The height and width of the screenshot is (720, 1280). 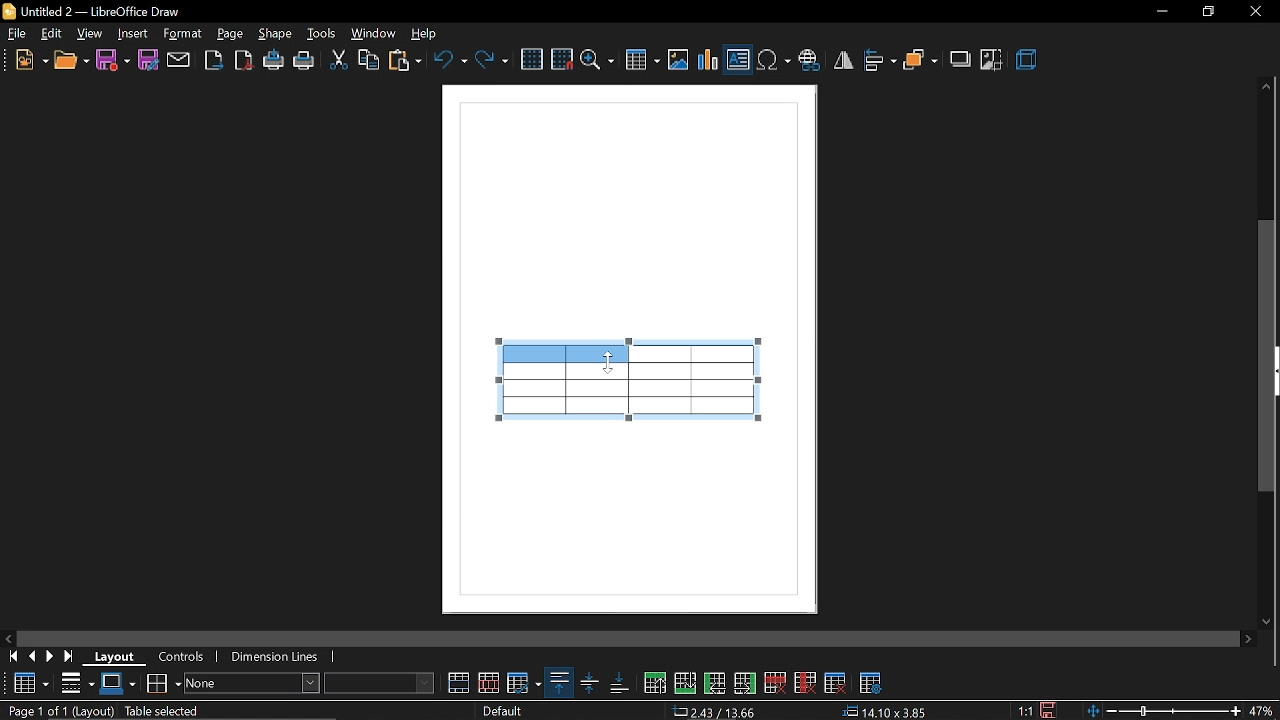 I want to click on copy, so click(x=367, y=61).